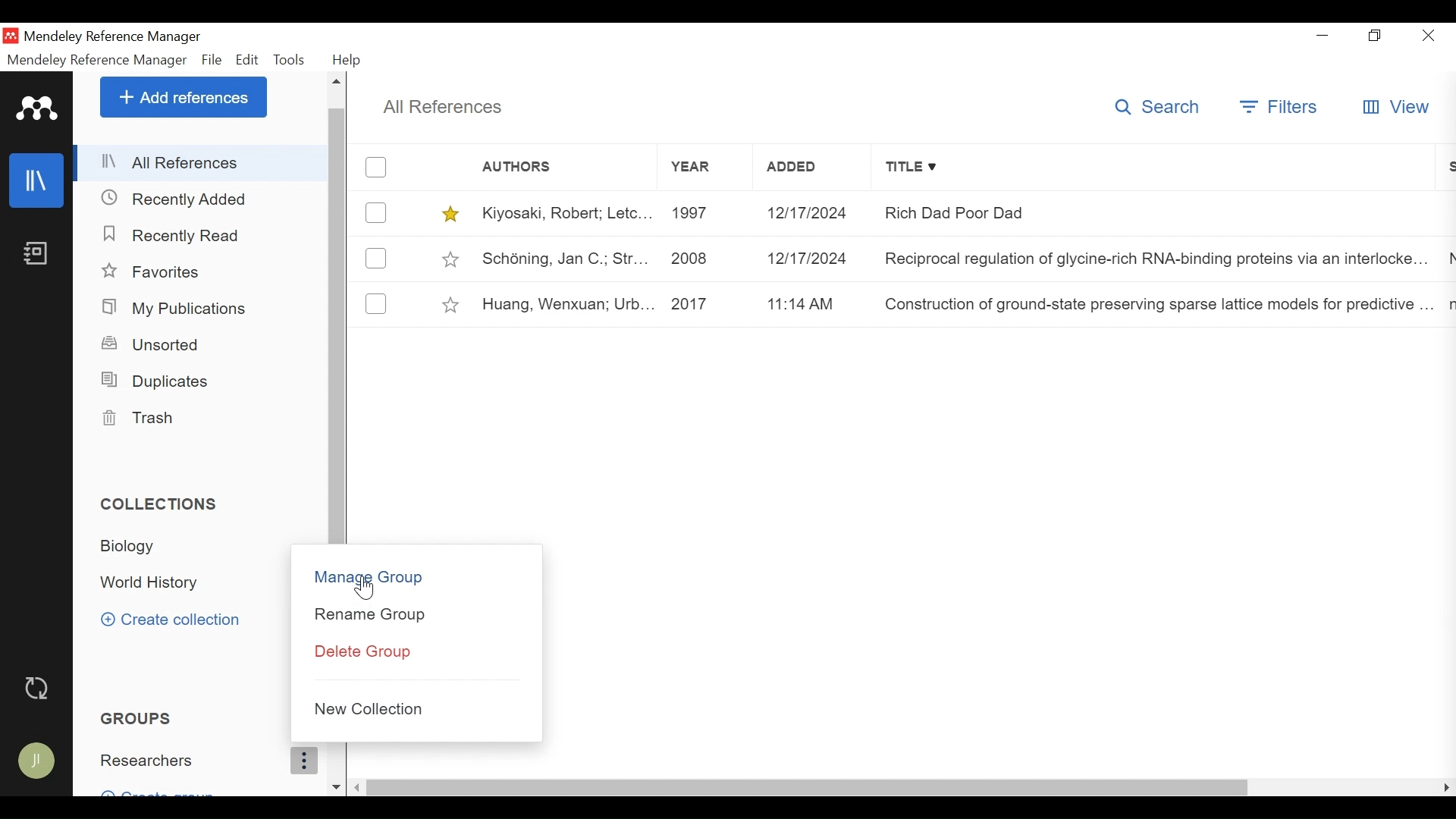 Image resolution: width=1456 pixels, height=819 pixels. I want to click on World History, so click(162, 583).